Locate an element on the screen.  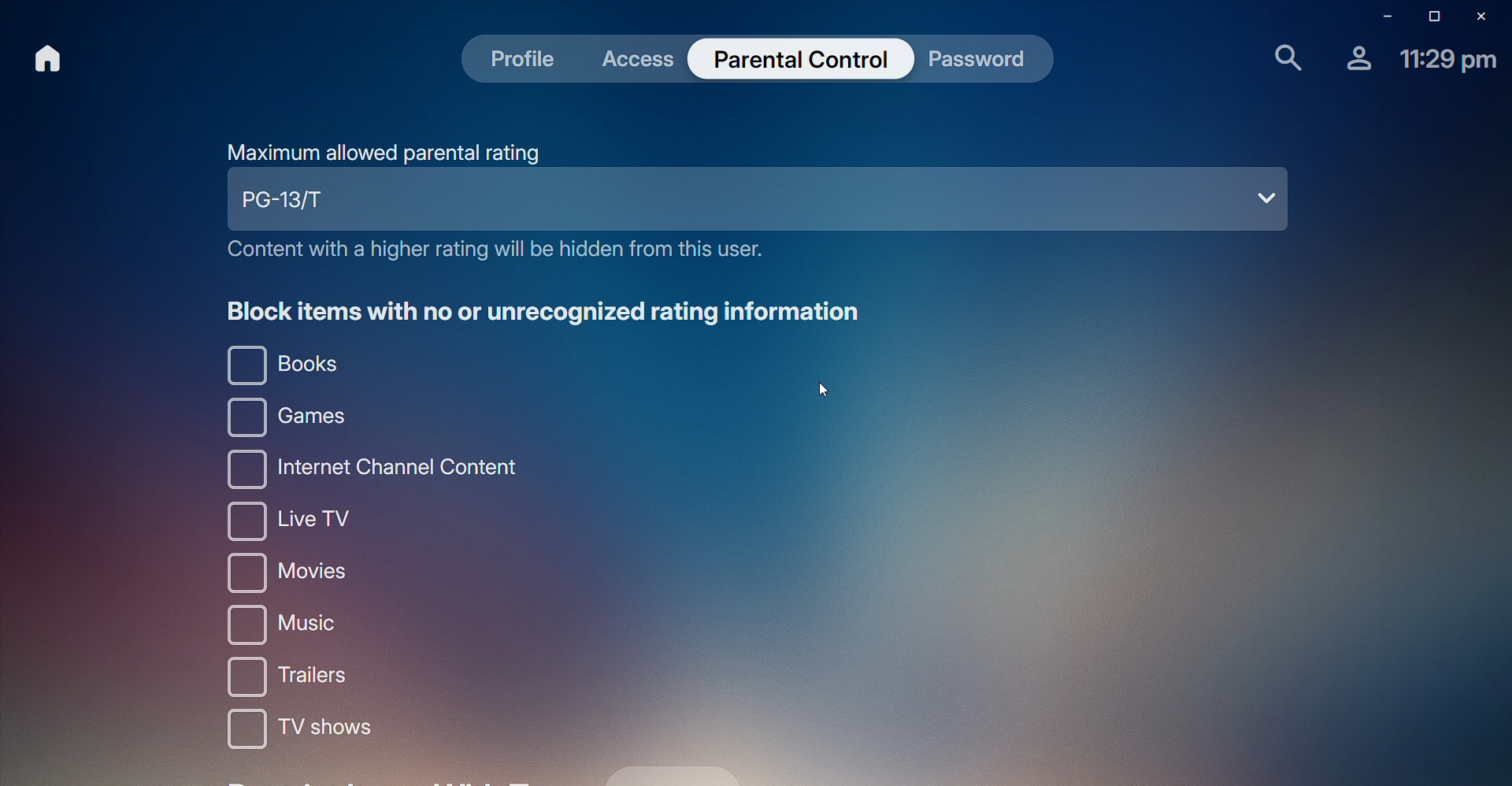
PG-13/T is located at coordinates (759, 203).